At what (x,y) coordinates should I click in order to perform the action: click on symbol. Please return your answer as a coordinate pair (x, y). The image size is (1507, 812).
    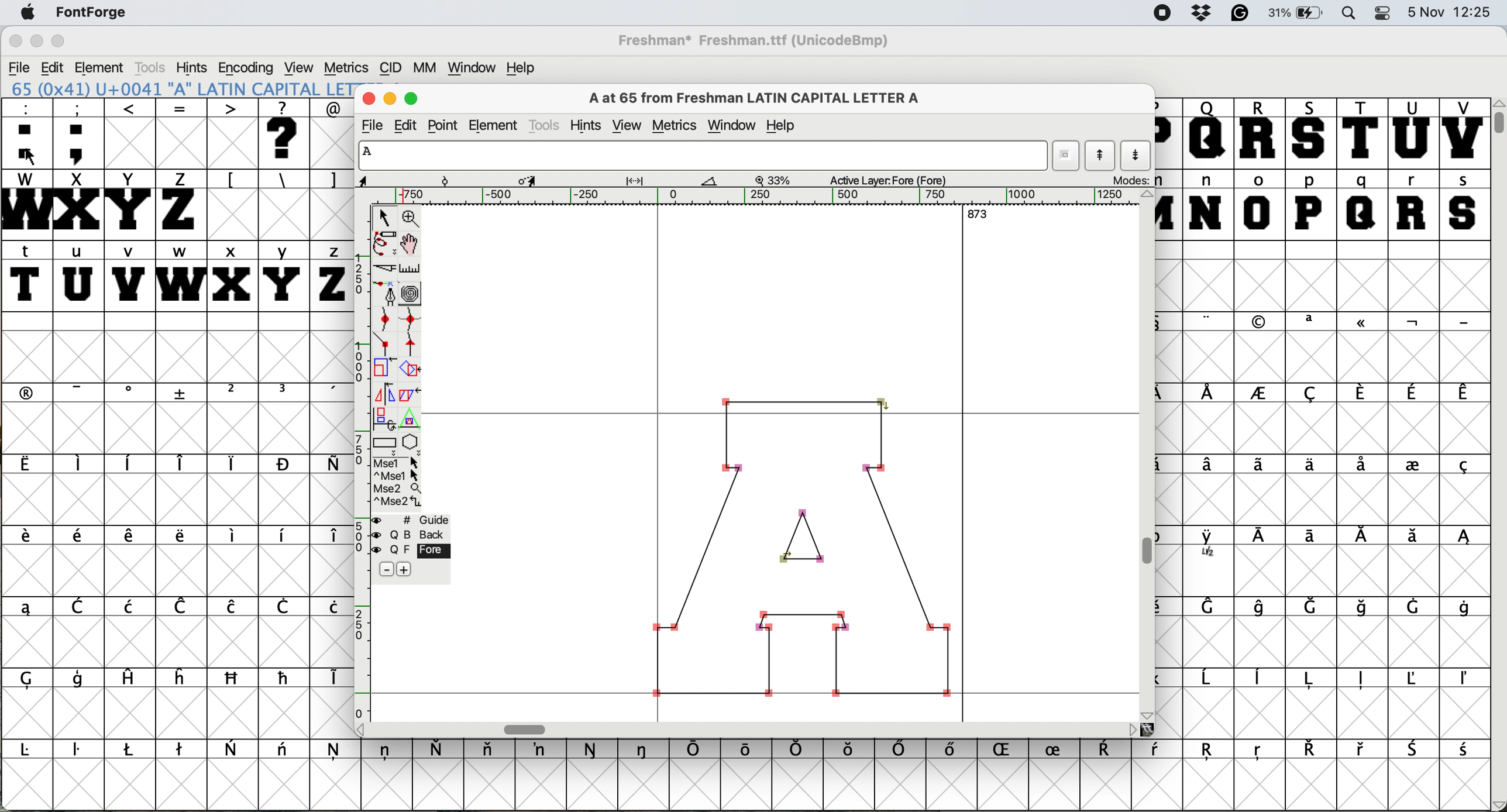
    Looking at the image, I should click on (1312, 679).